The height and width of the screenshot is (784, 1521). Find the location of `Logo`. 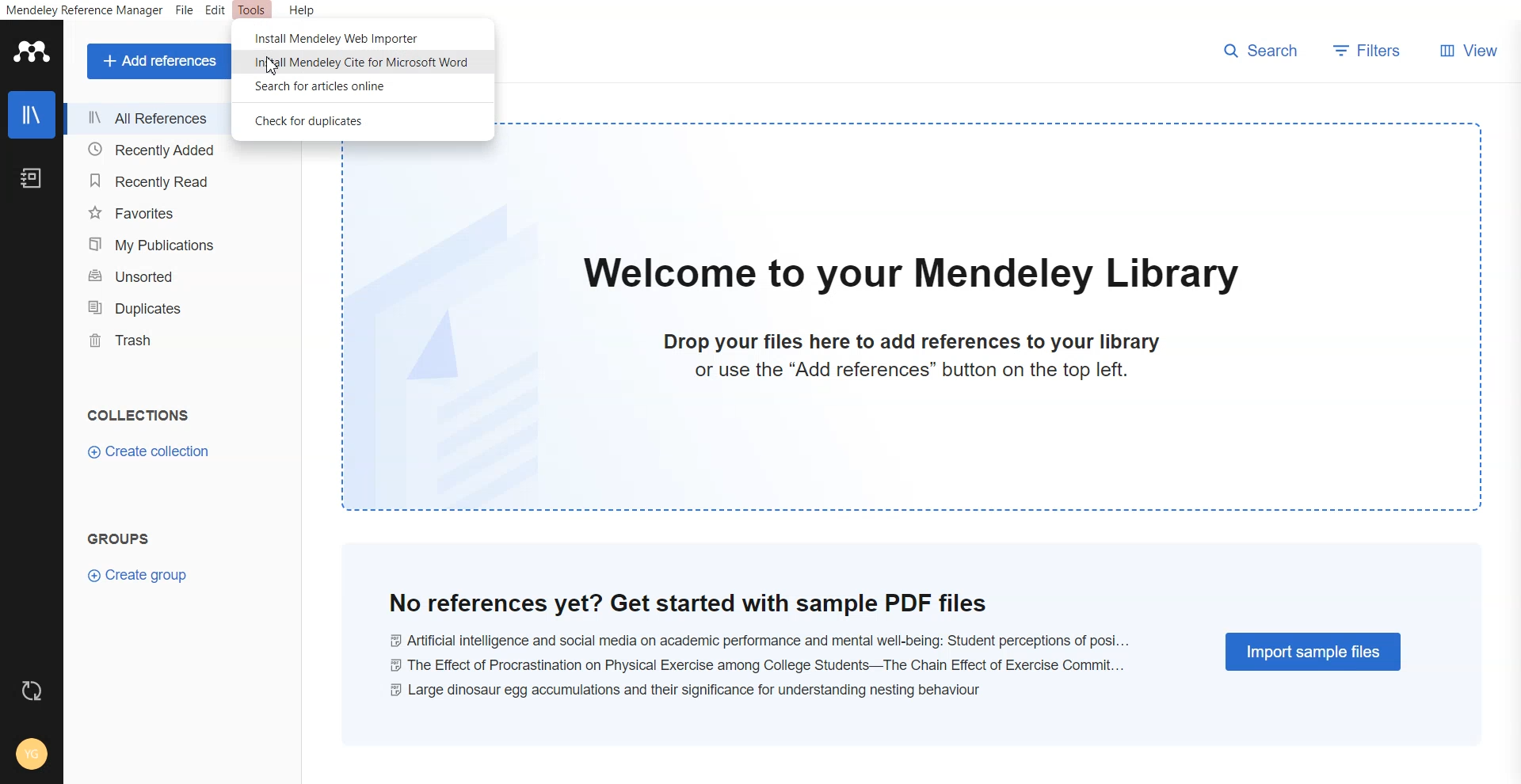

Logo is located at coordinates (31, 51).